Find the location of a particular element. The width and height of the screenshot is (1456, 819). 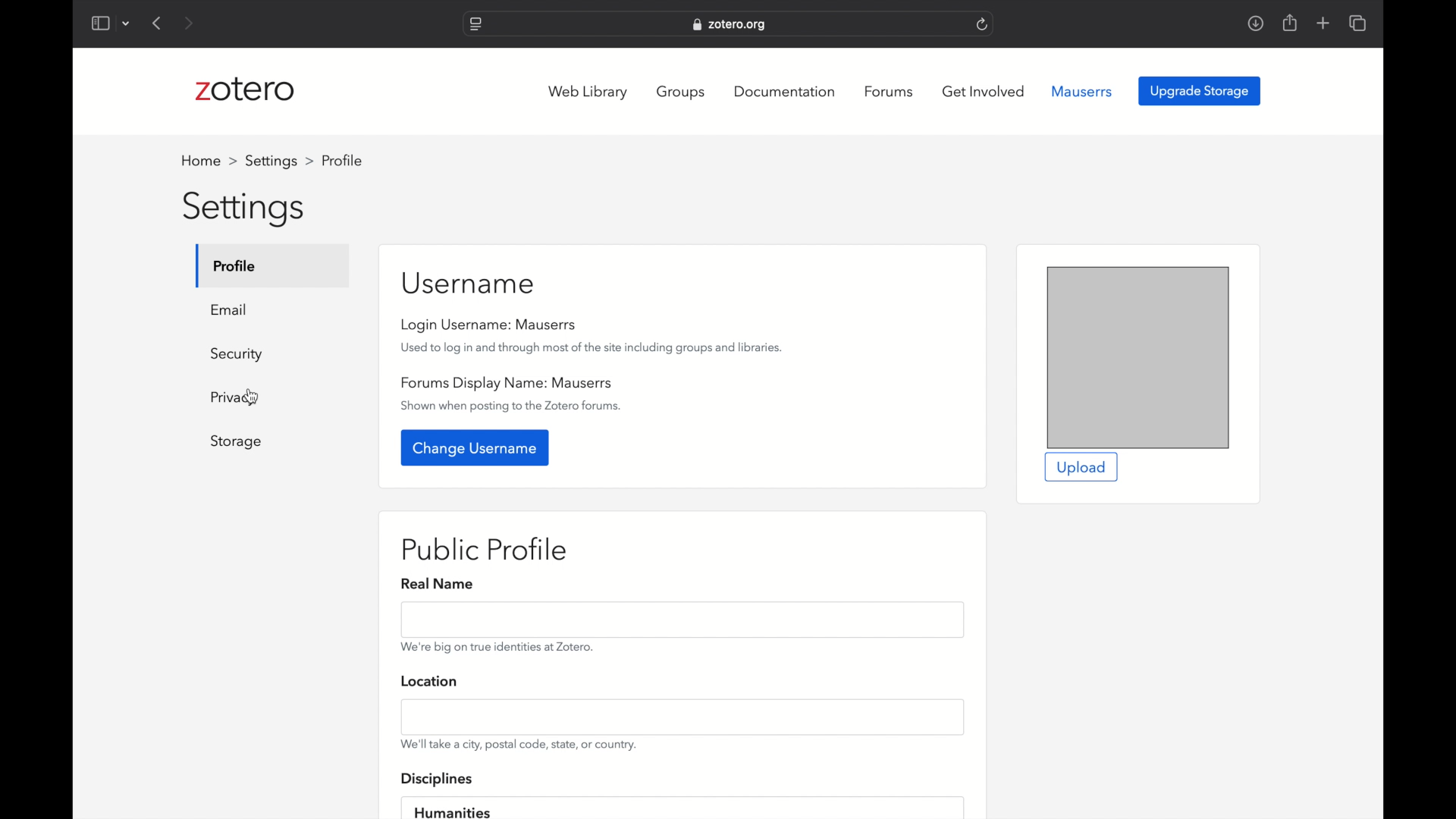

share is located at coordinates (1288, 23).